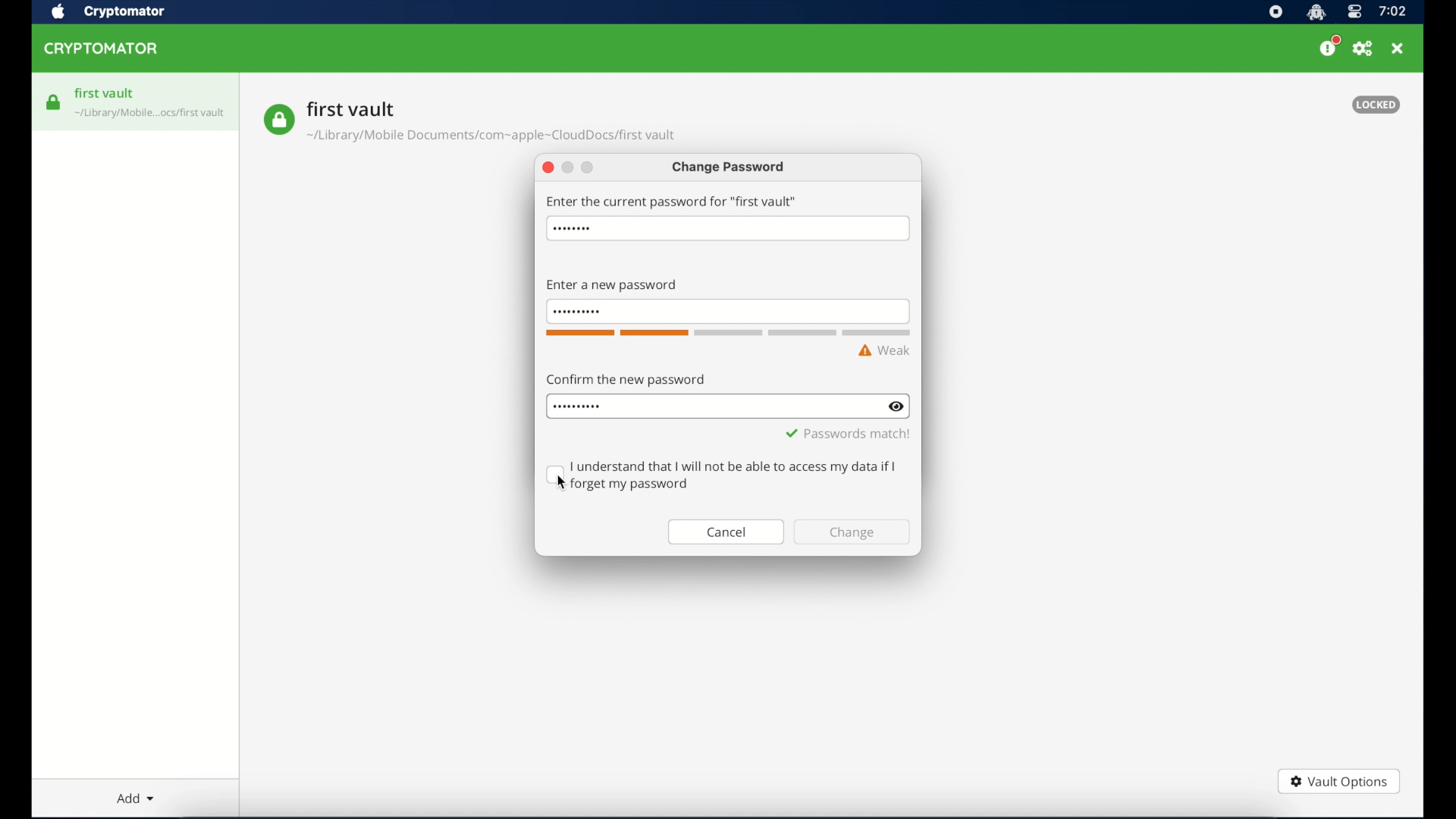  What do you see at coordinates (1376, 105) in the screenshot?
I see `locked` at bounding box center [1376, 105].